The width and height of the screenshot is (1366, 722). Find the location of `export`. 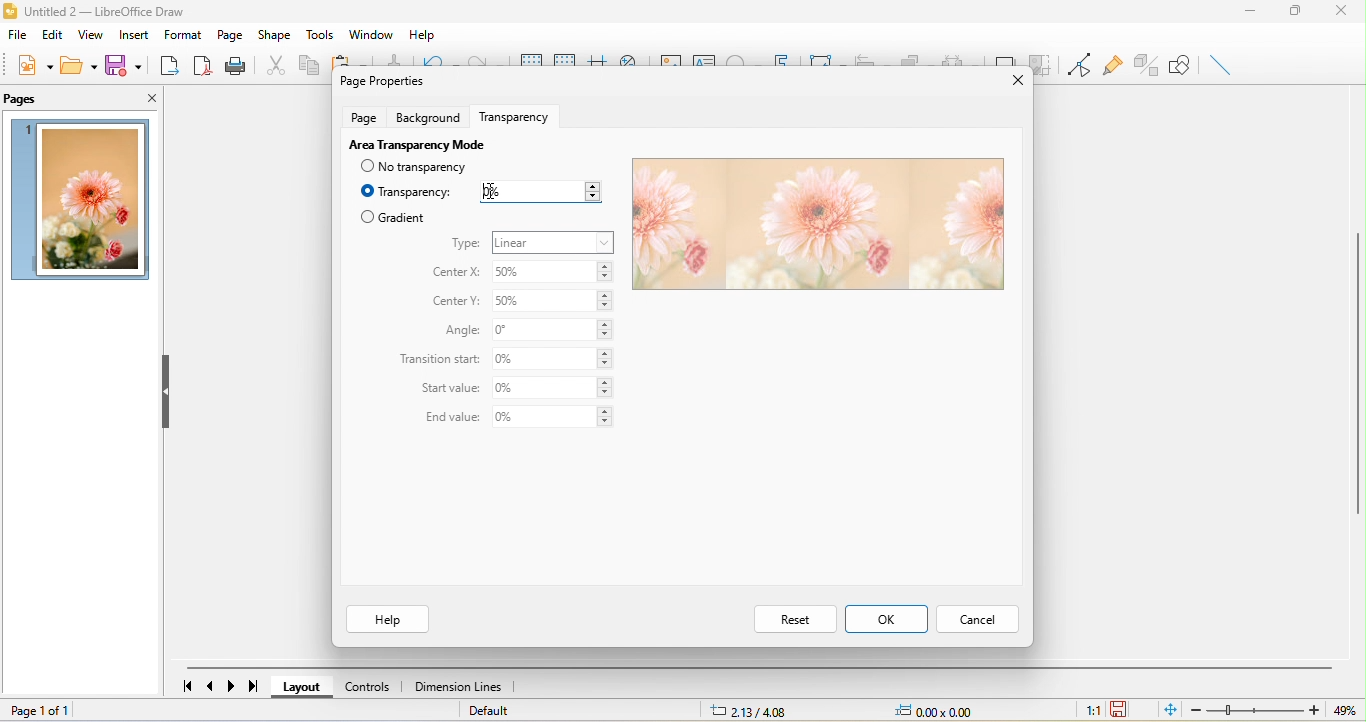

export is located at coordinates (165, 63).